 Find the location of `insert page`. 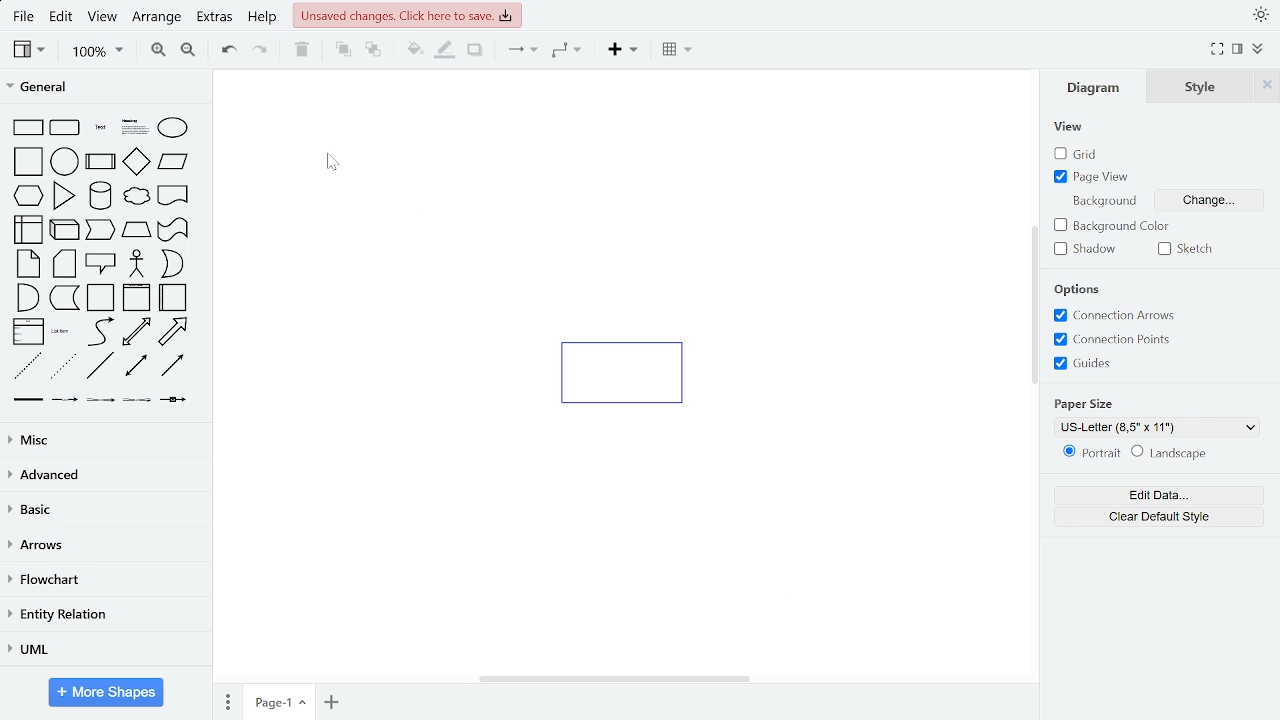

insert page is located at coordinates (333, 702).